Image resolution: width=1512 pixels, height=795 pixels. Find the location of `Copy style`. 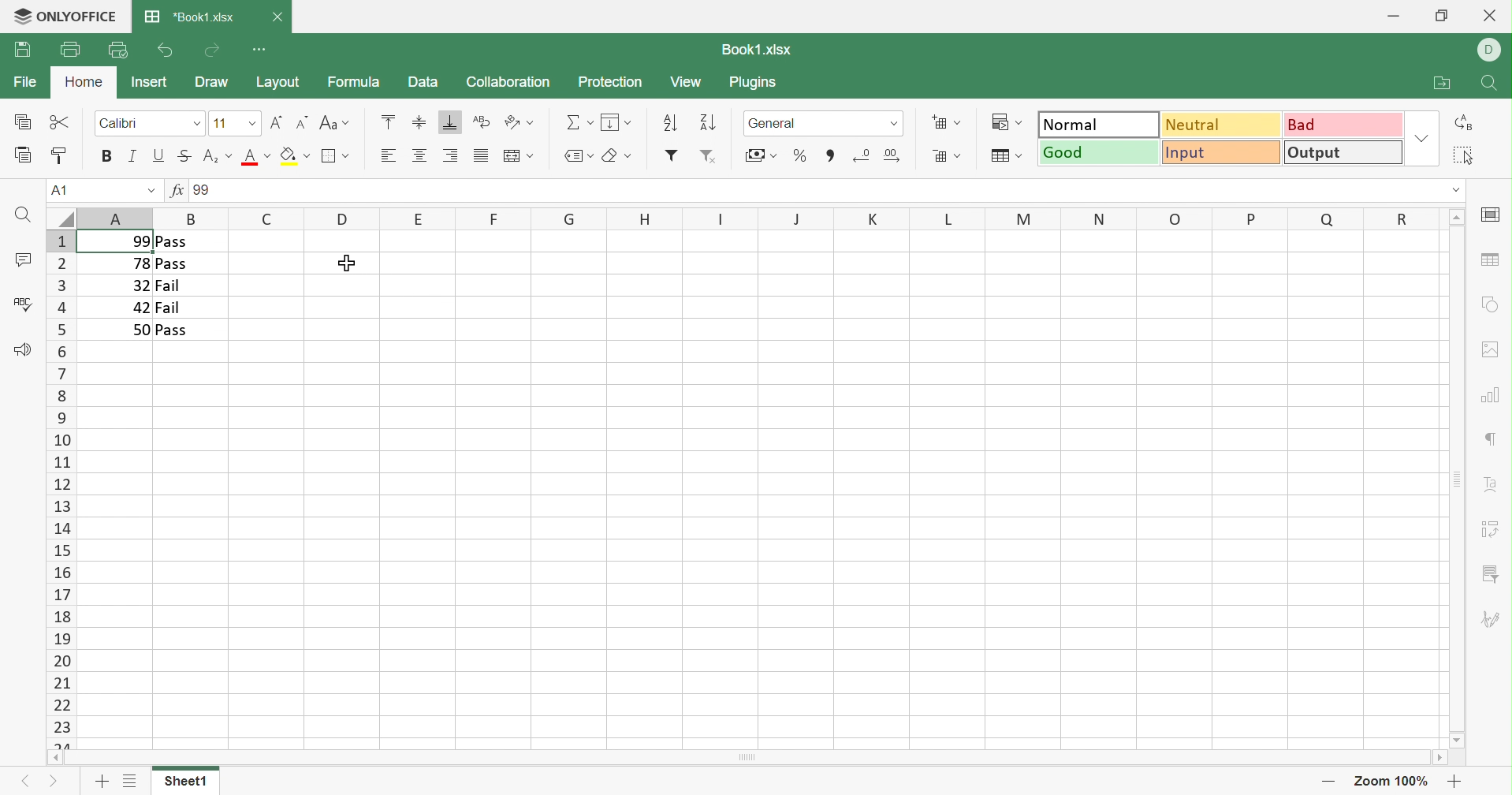

Copy style is located at coordinates (58, 157).